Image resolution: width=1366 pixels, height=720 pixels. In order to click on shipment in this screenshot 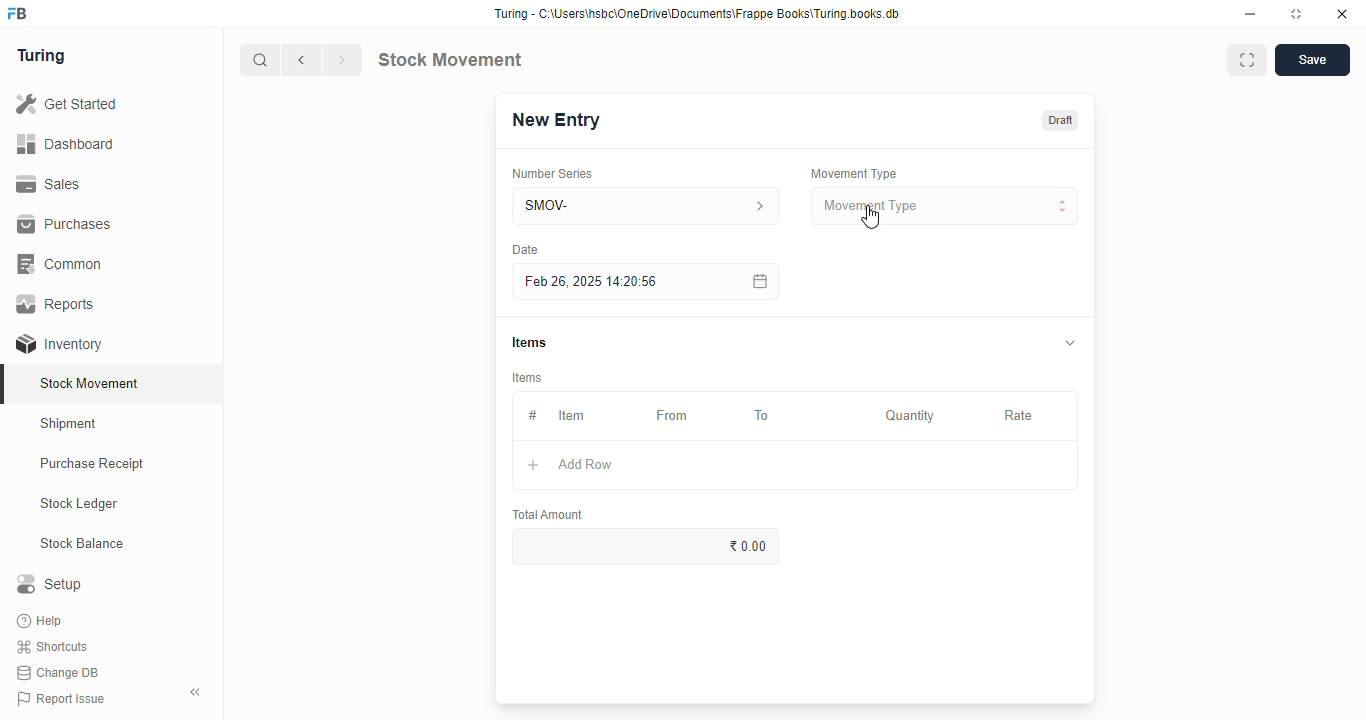, I will do `click(69, 424)`.